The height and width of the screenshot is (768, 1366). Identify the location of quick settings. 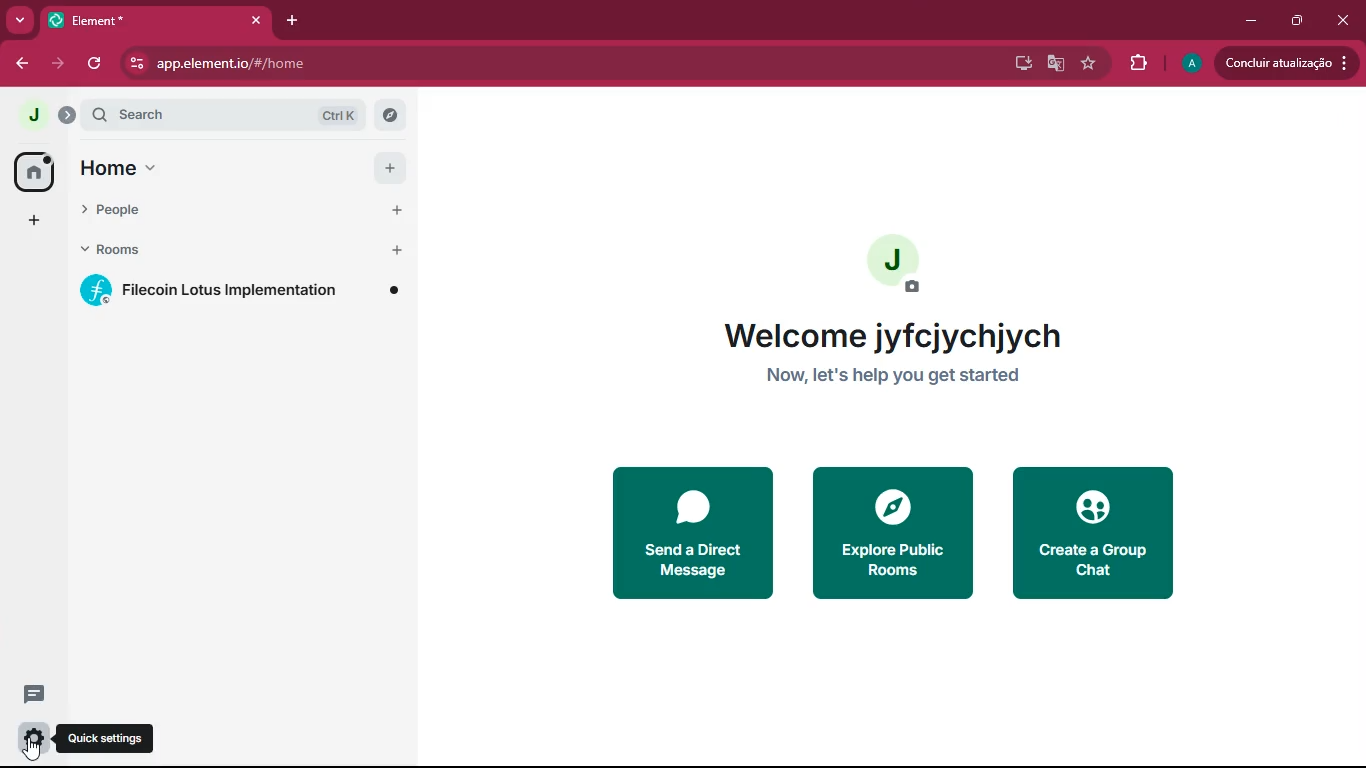
(105, 739).